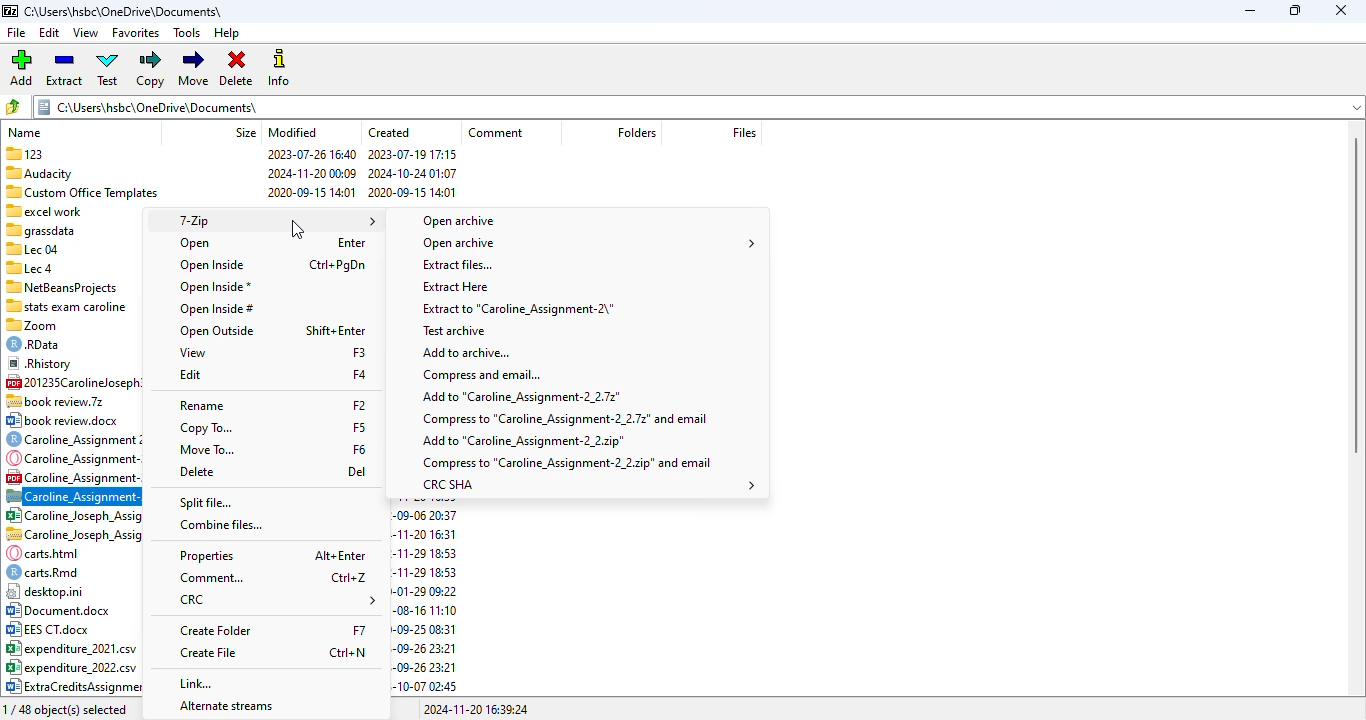 This screenshot has width=1366, height=720. What do you see at coordinates (567, 462) in the screenshot?
I see `compress to .zip and email` at bounding box center [567, 462].